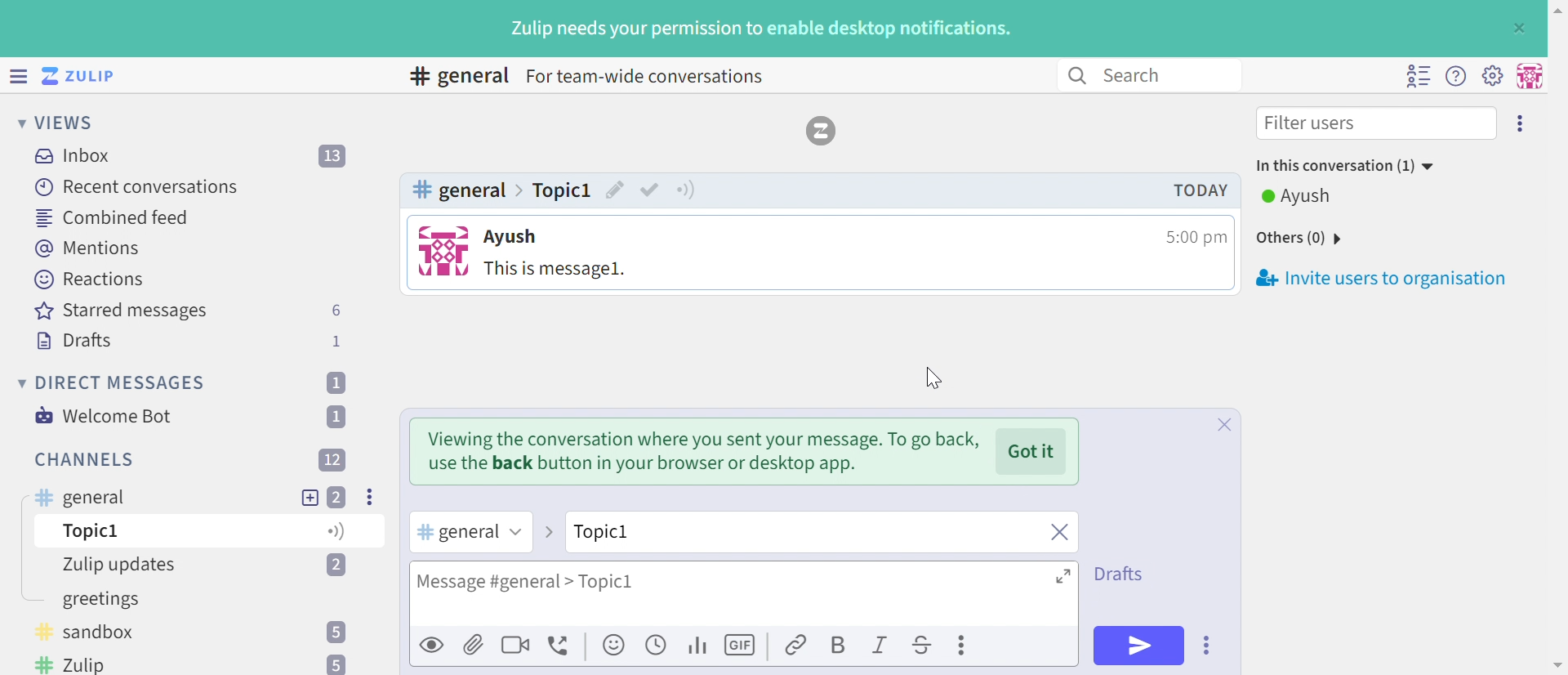 The height and width of the screenshot is (675, 1568). I want to click on Drop Down, so click(1435, 168).